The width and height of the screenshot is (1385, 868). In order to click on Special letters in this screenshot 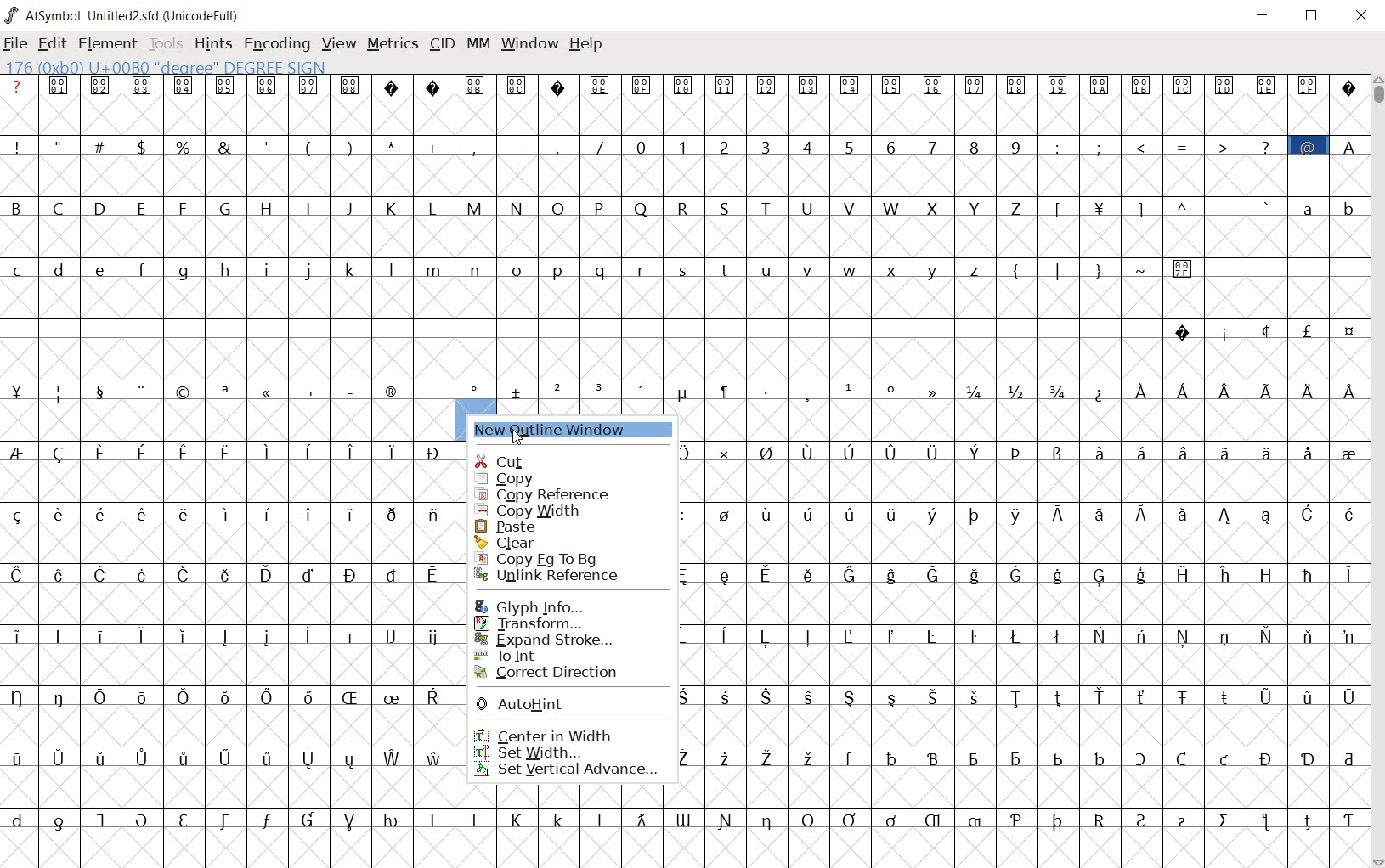, I will do `click(1225, 392)`.